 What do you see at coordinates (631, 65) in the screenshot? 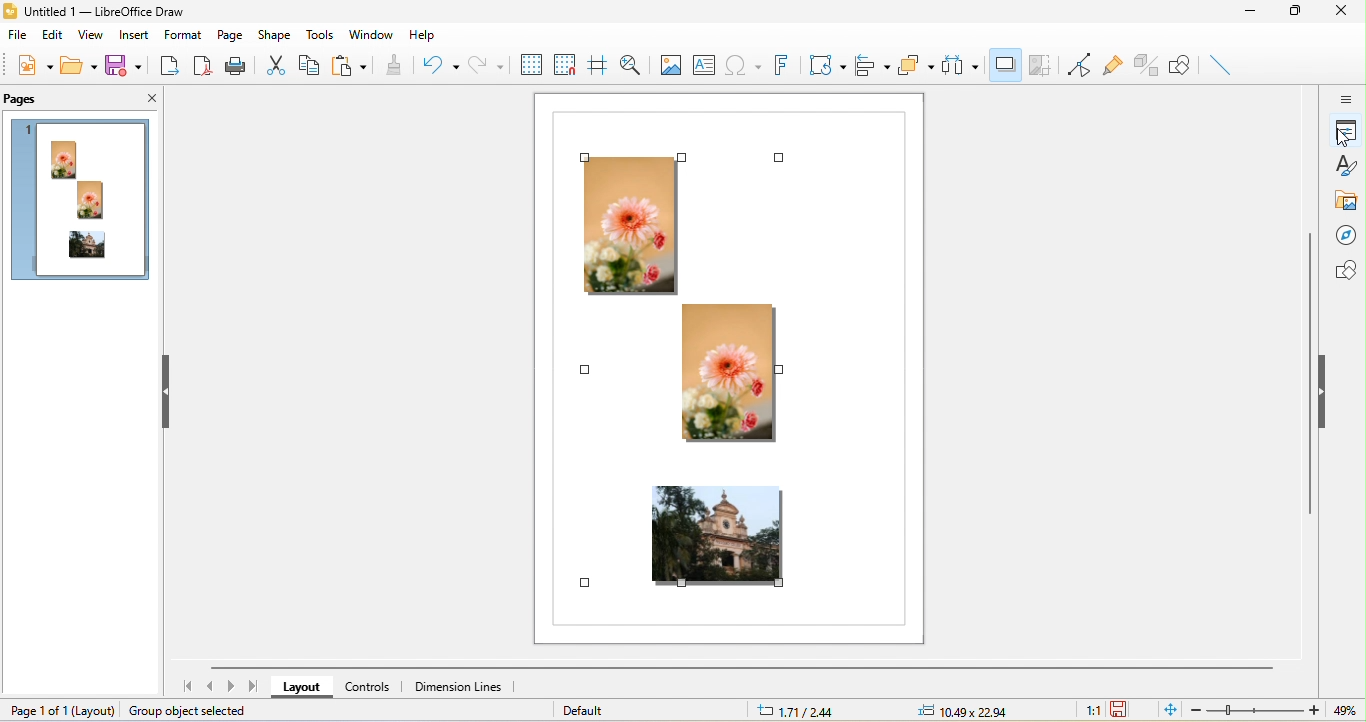
I see `zoom and pan` at bounding box center [631, 65].